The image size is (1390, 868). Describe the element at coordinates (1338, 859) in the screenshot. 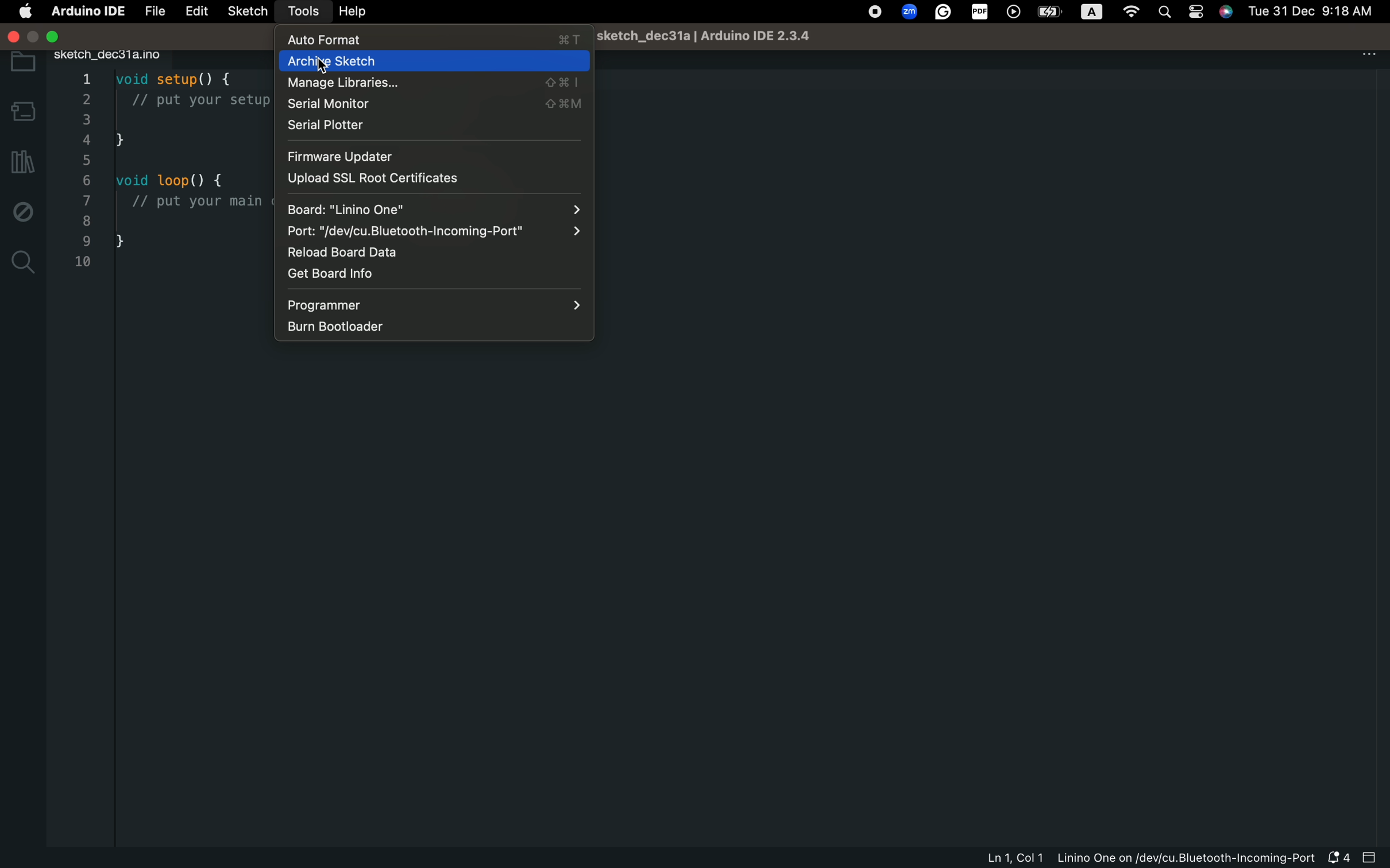

I see `notification` at that location.